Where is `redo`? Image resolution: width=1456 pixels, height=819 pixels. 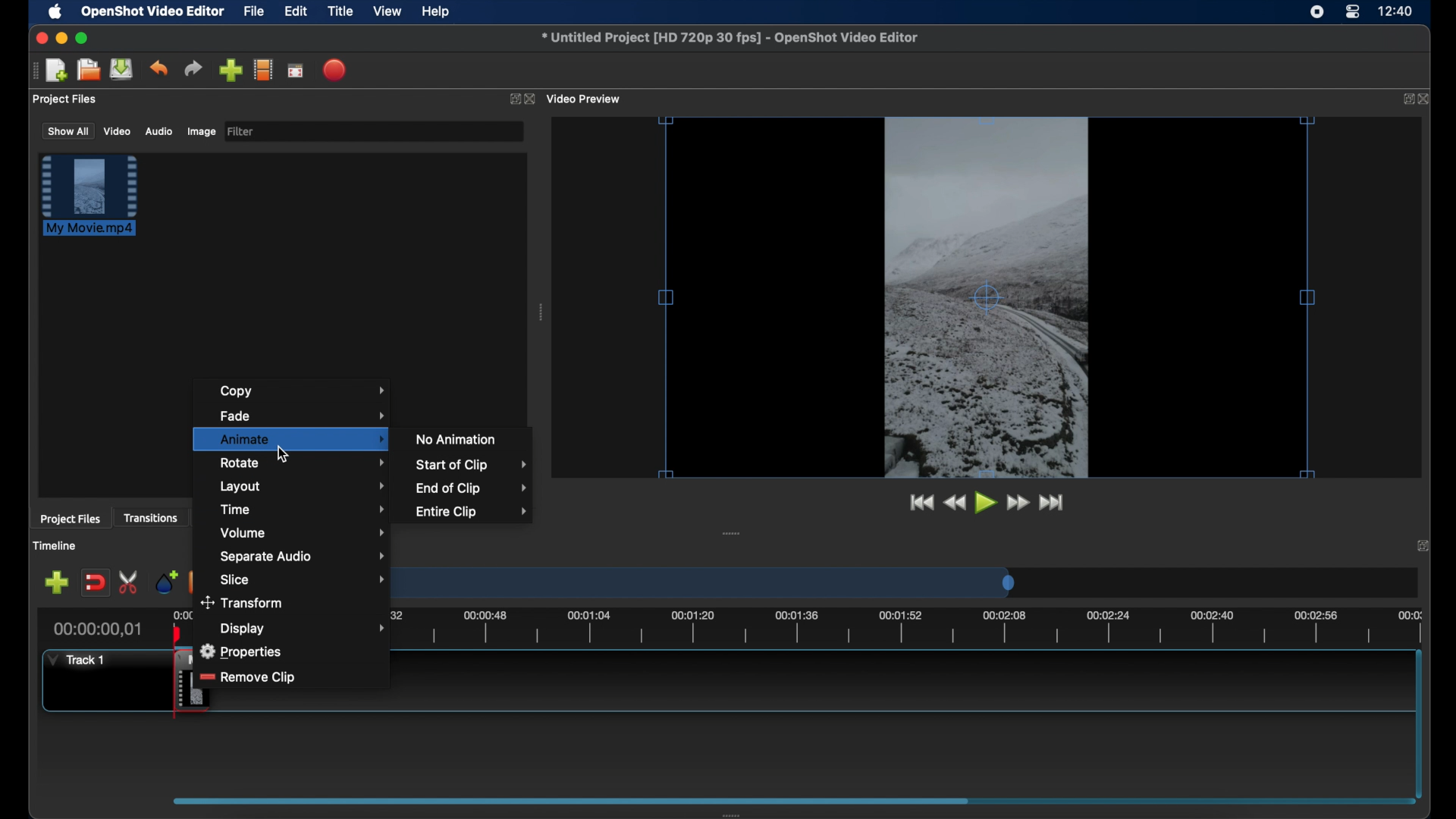
redo is located at coordinates (193, 69).